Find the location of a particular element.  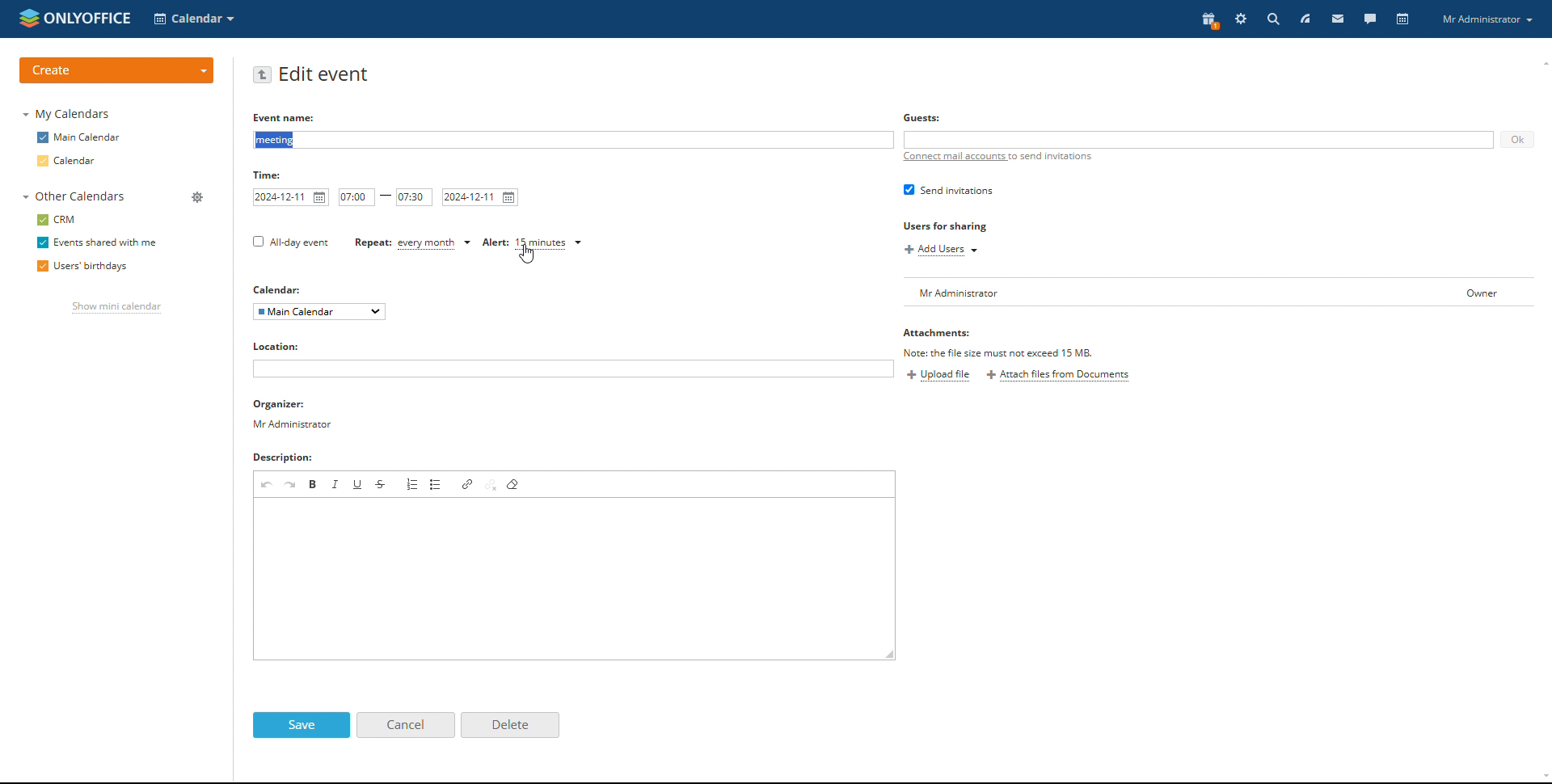

underline is located at coordinates (358, 483).